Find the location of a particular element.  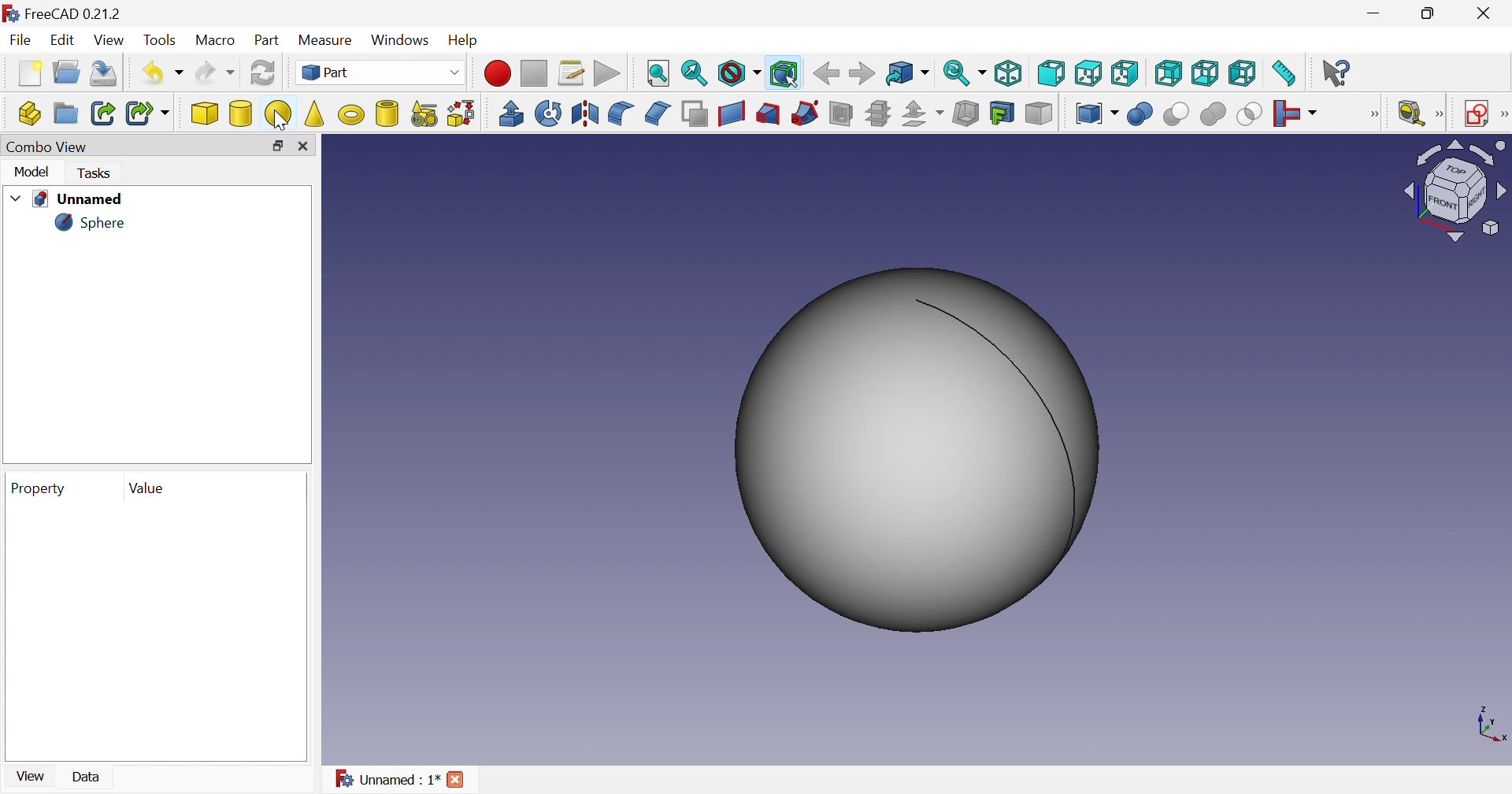

Back is located at coordinates (826, 74).